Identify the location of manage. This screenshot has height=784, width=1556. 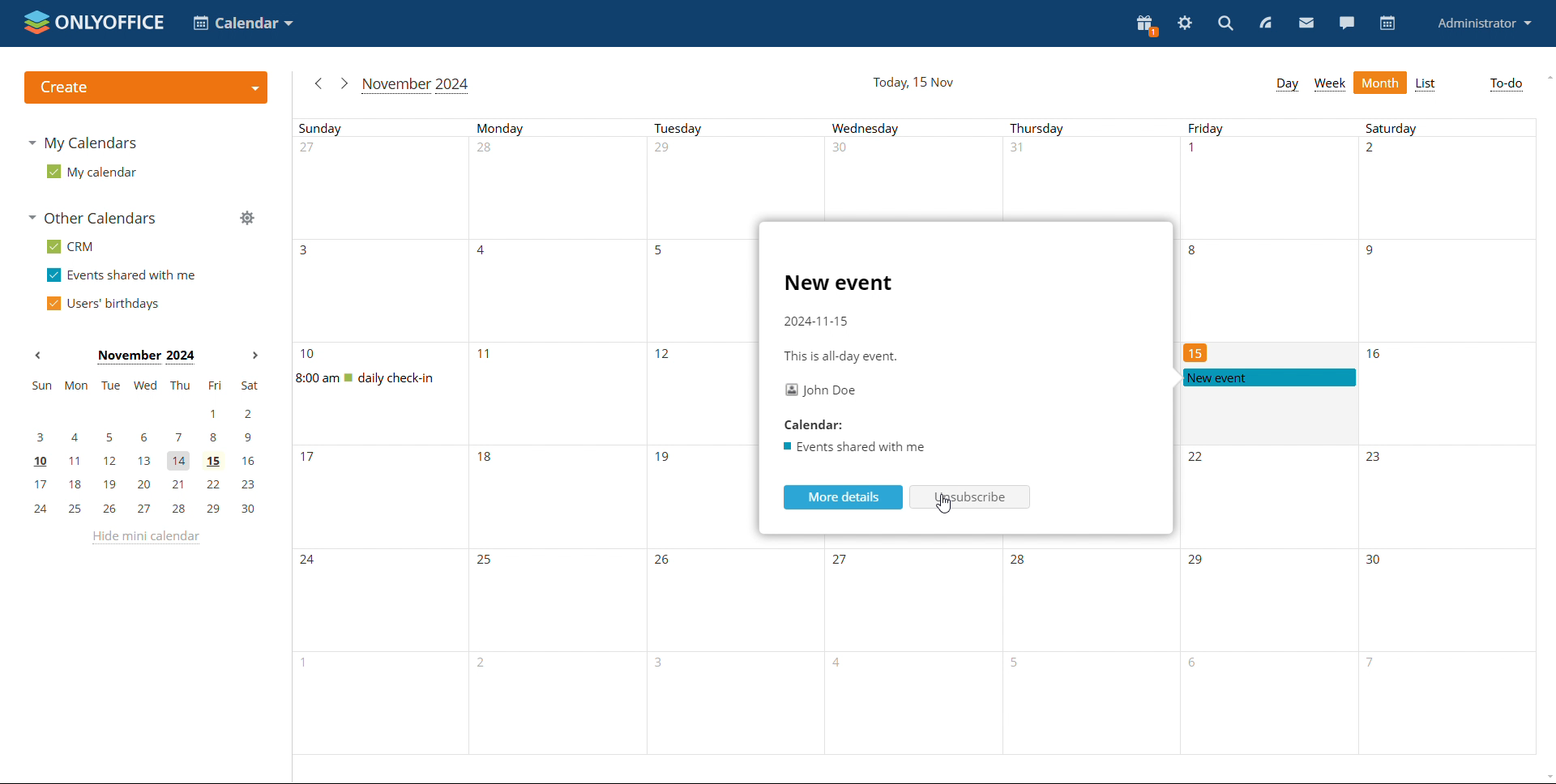
(246, 217).